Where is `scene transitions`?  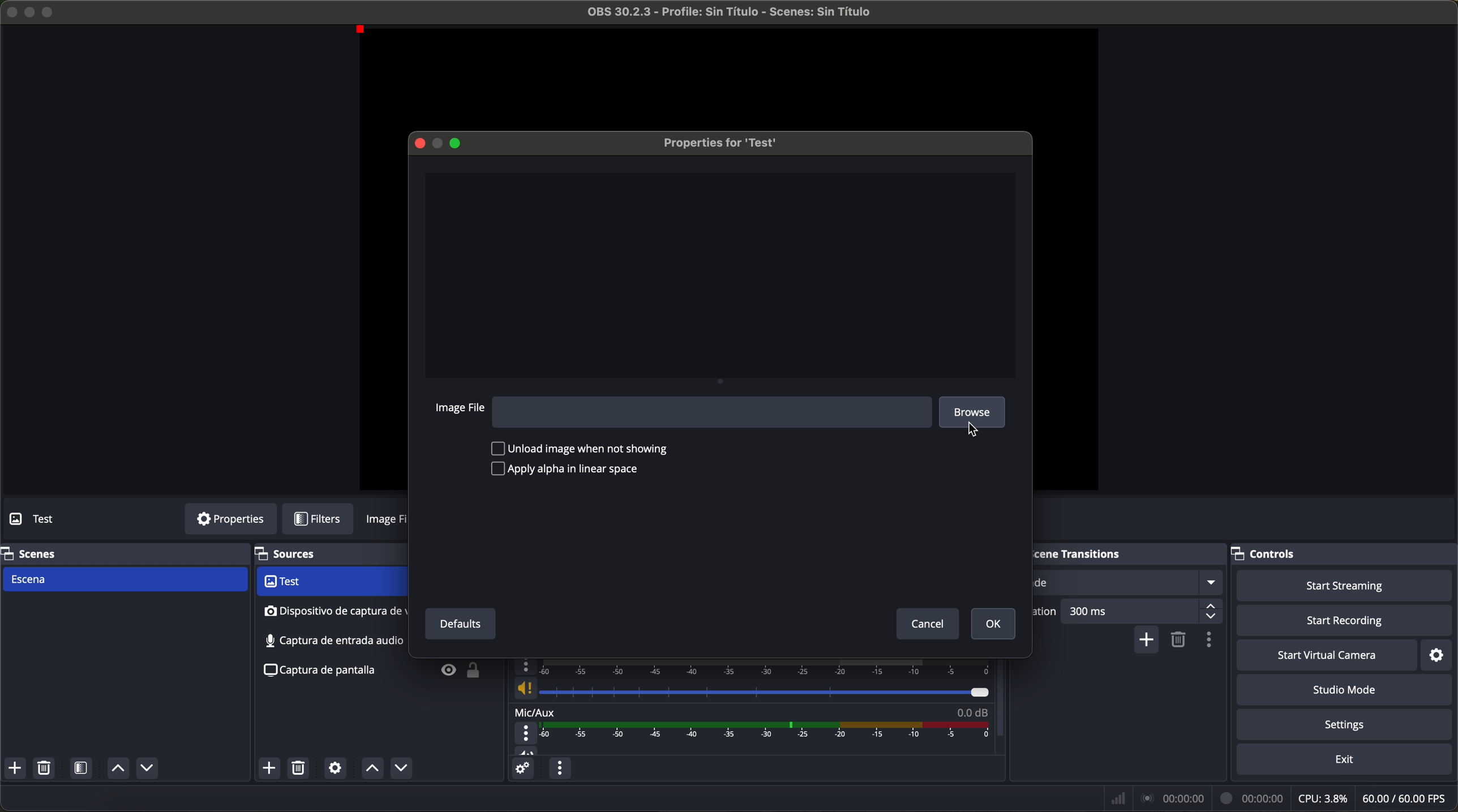 scene transitions is located at coordinates (1094, 553).